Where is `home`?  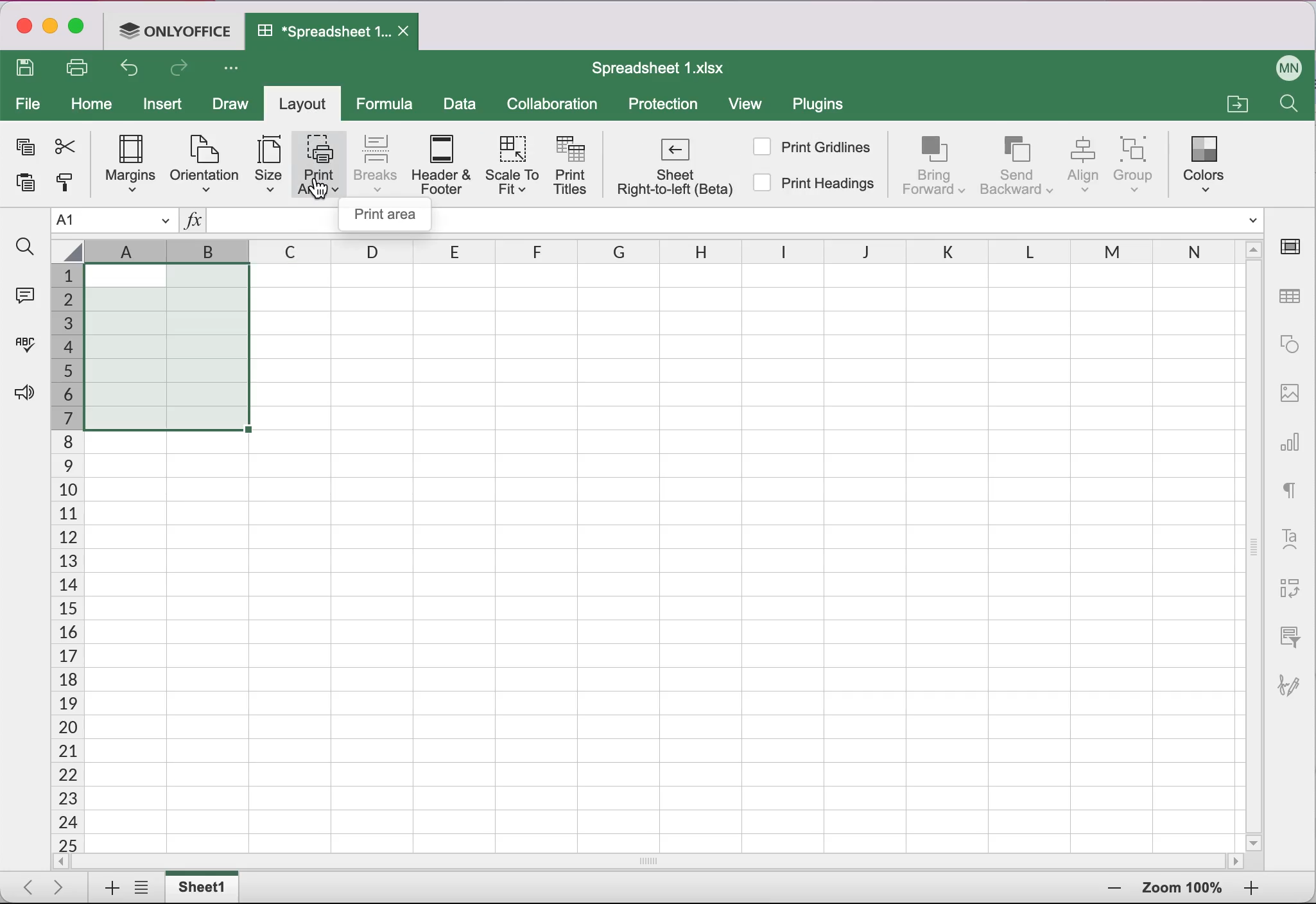
home is located at coordinates (92, 105).